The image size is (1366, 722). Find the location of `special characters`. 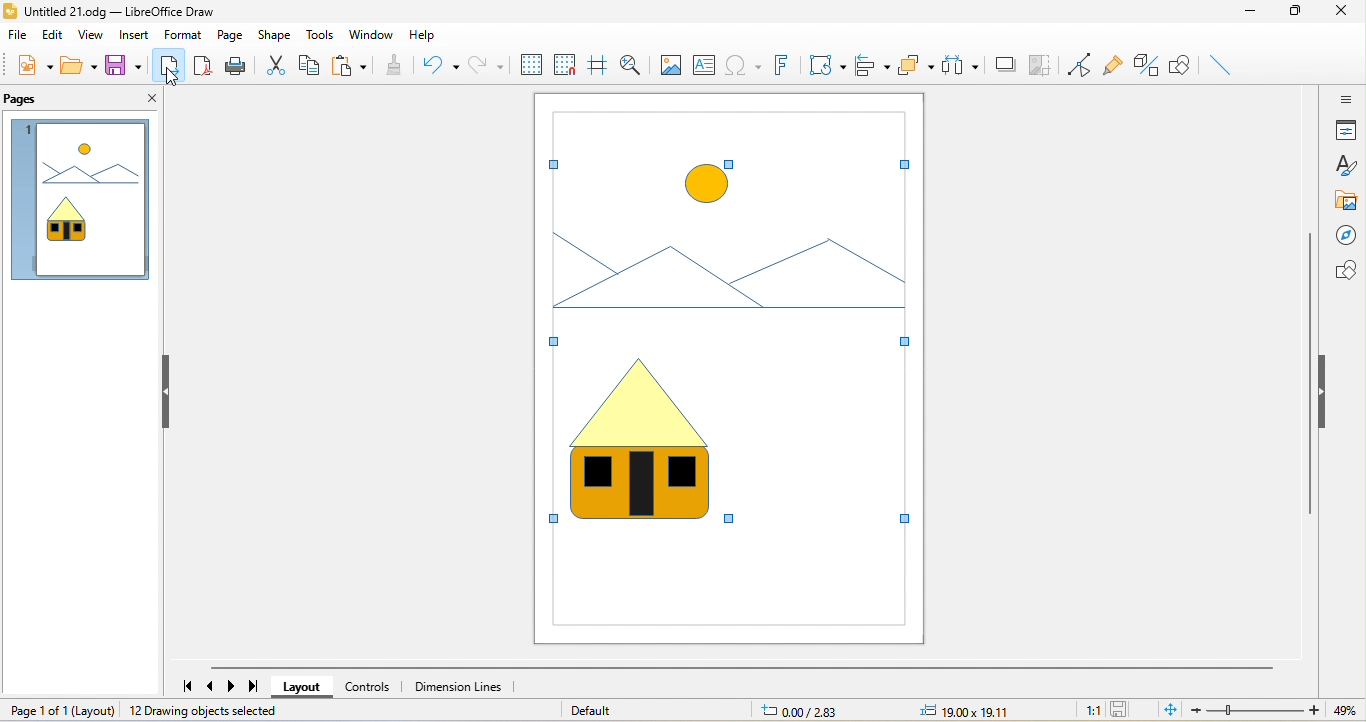

special characters is located at coordinates (743, 65).